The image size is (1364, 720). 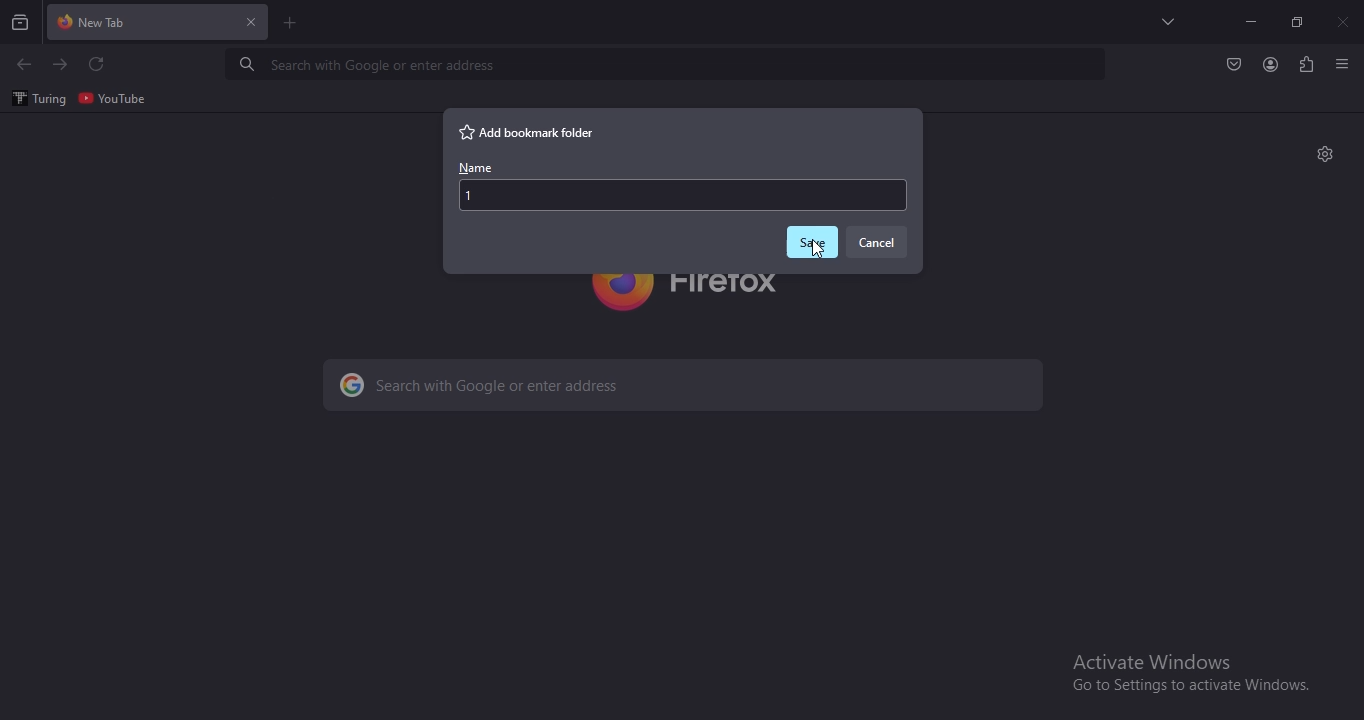 I want to click on turing, so click(x=37, y=99).